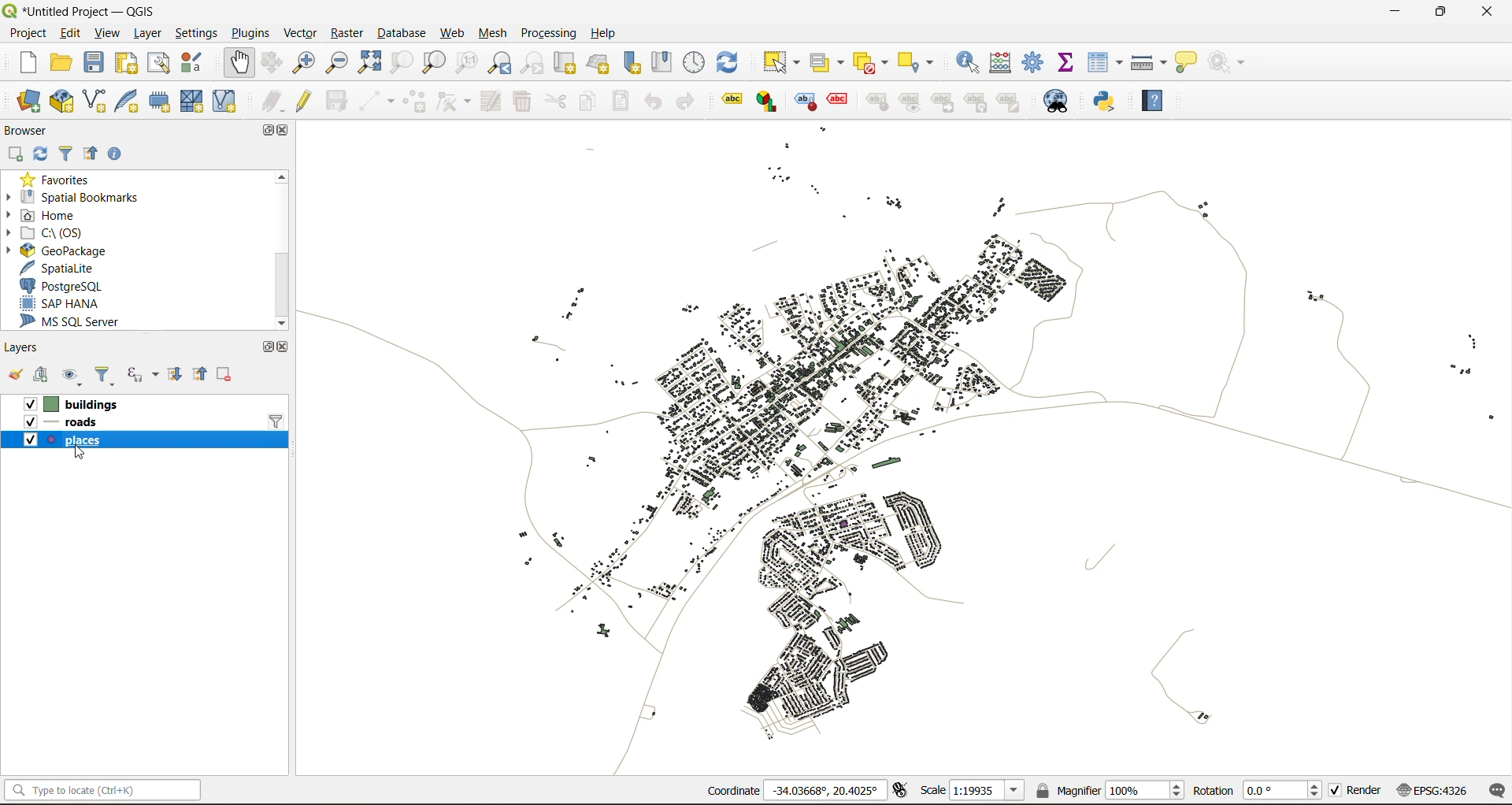 Image resolution: width=1512 pixels, height=805 pixels. What do you see at coordinates (549, 30) in the screenshot?
I see `processing` at bounding box center [549, 30].